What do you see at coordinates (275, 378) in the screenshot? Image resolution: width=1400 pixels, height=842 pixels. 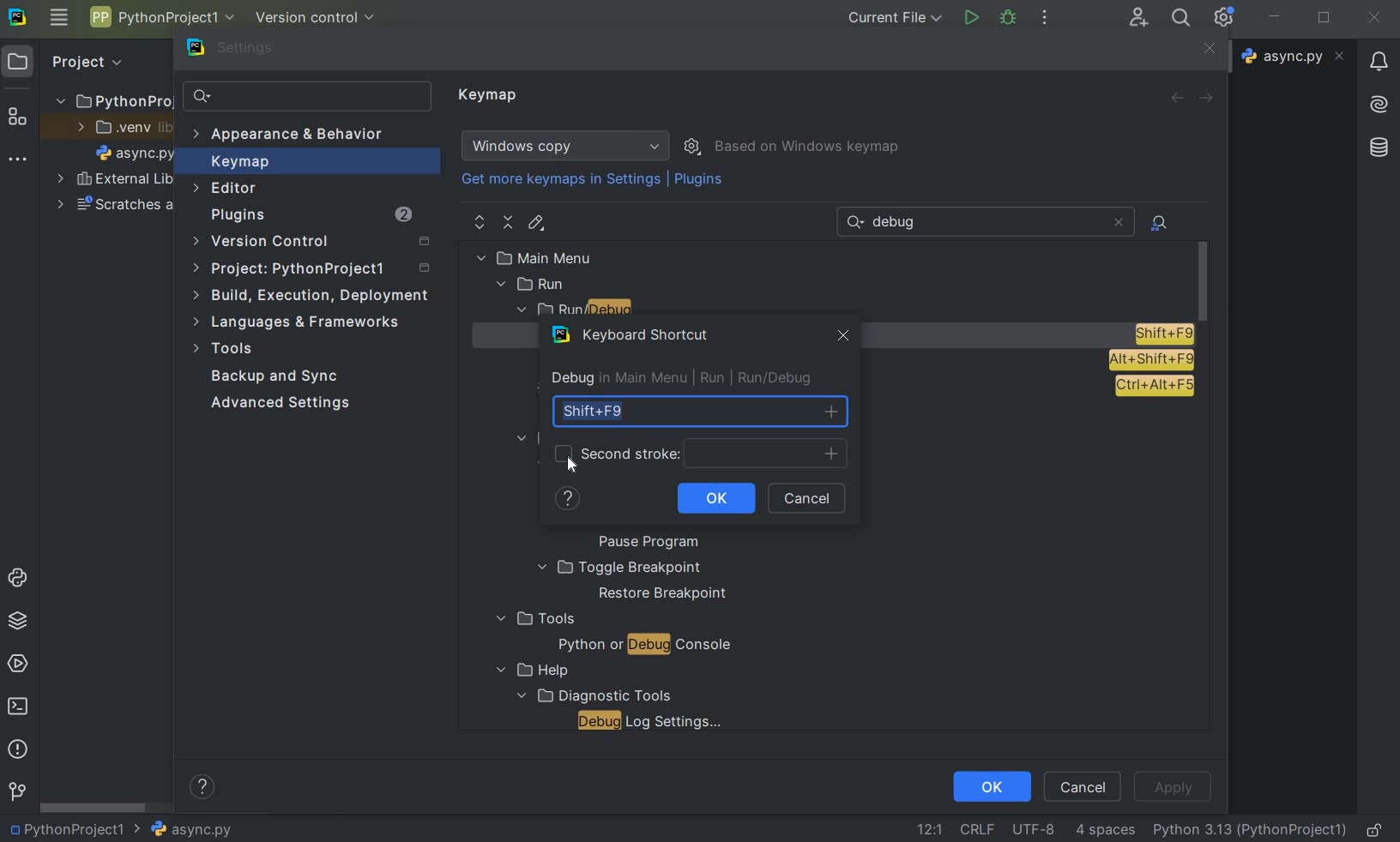 I see `backup and sync` at bounding box center [275, 378].